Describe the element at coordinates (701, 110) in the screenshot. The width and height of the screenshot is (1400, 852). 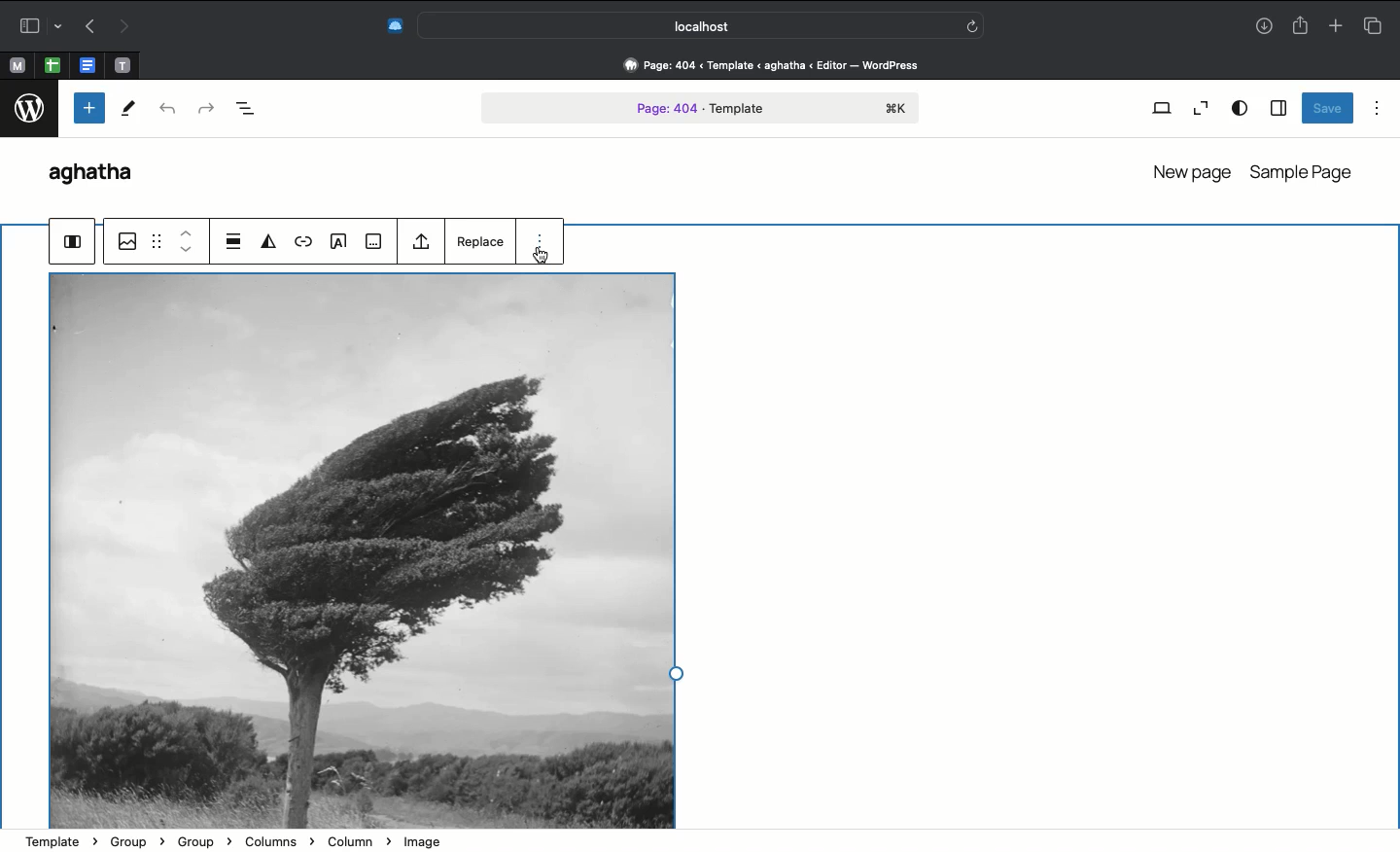
I see `Page 404` at that location.